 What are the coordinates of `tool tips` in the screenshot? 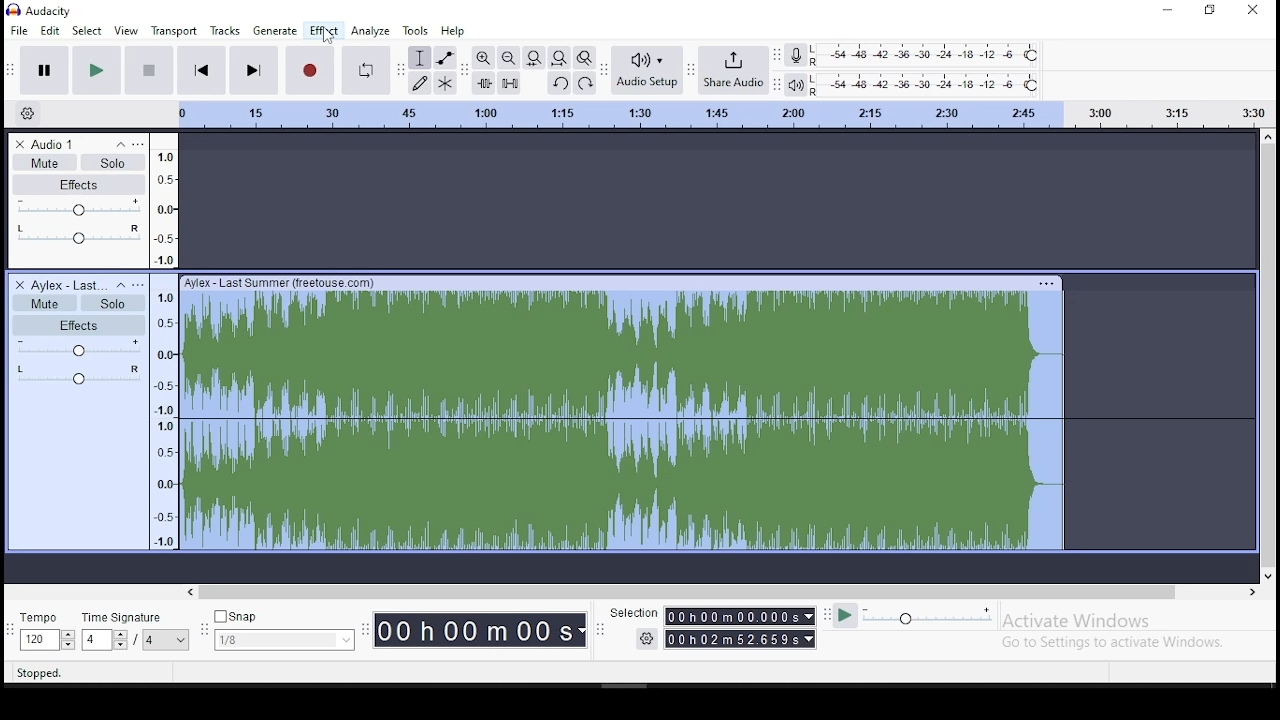 It's located at (45, 674).